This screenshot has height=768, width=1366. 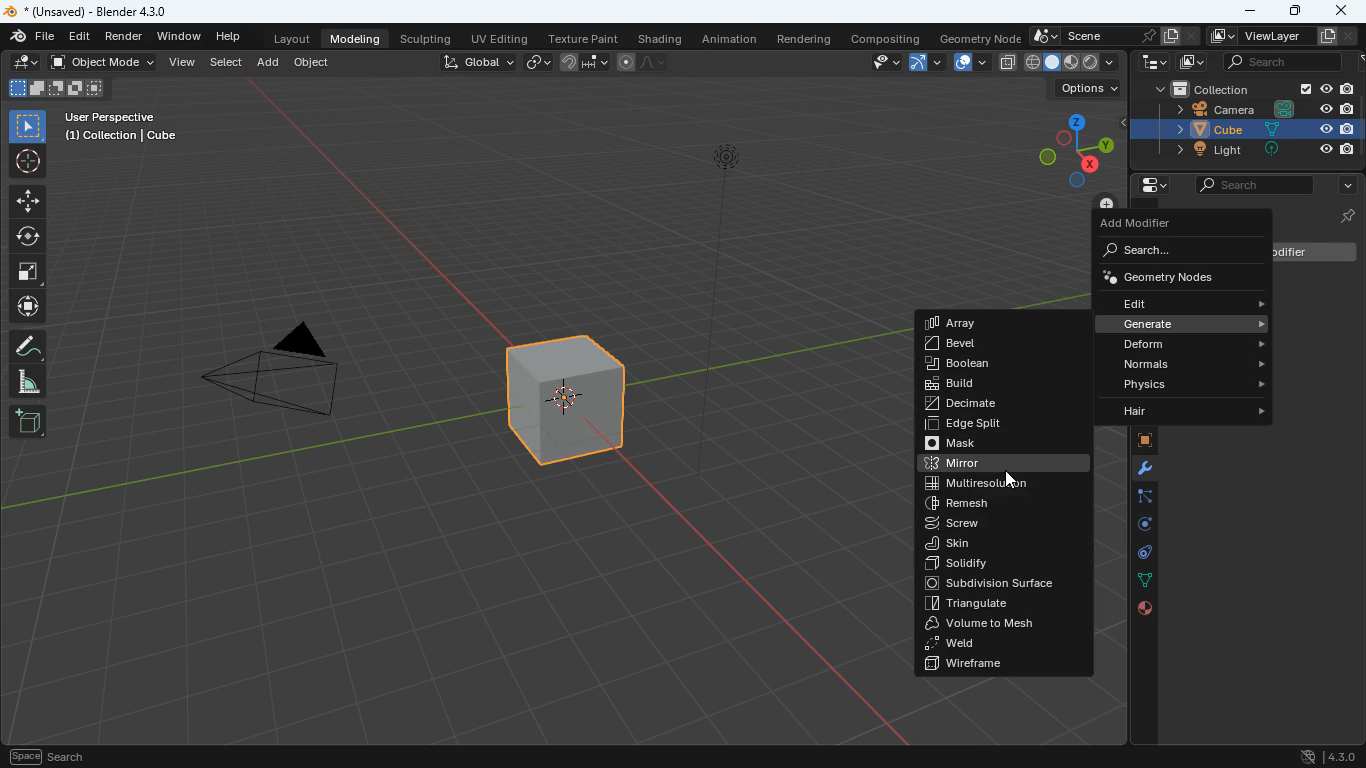 What do you see at coordinates (732, 39) in the screenshot?
I see `animation` at bounding box center [732, 39].